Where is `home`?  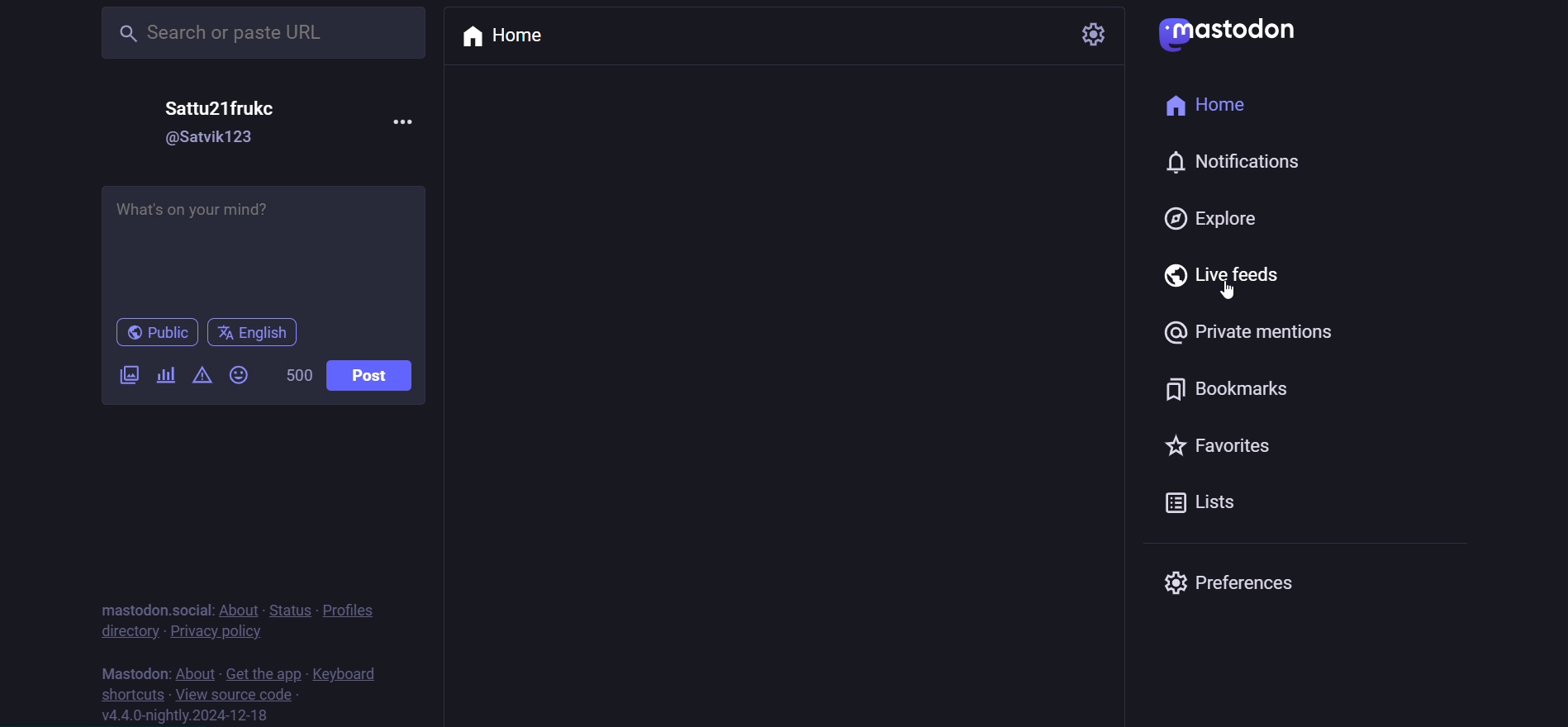
home is located at coordinates (1209, 102).